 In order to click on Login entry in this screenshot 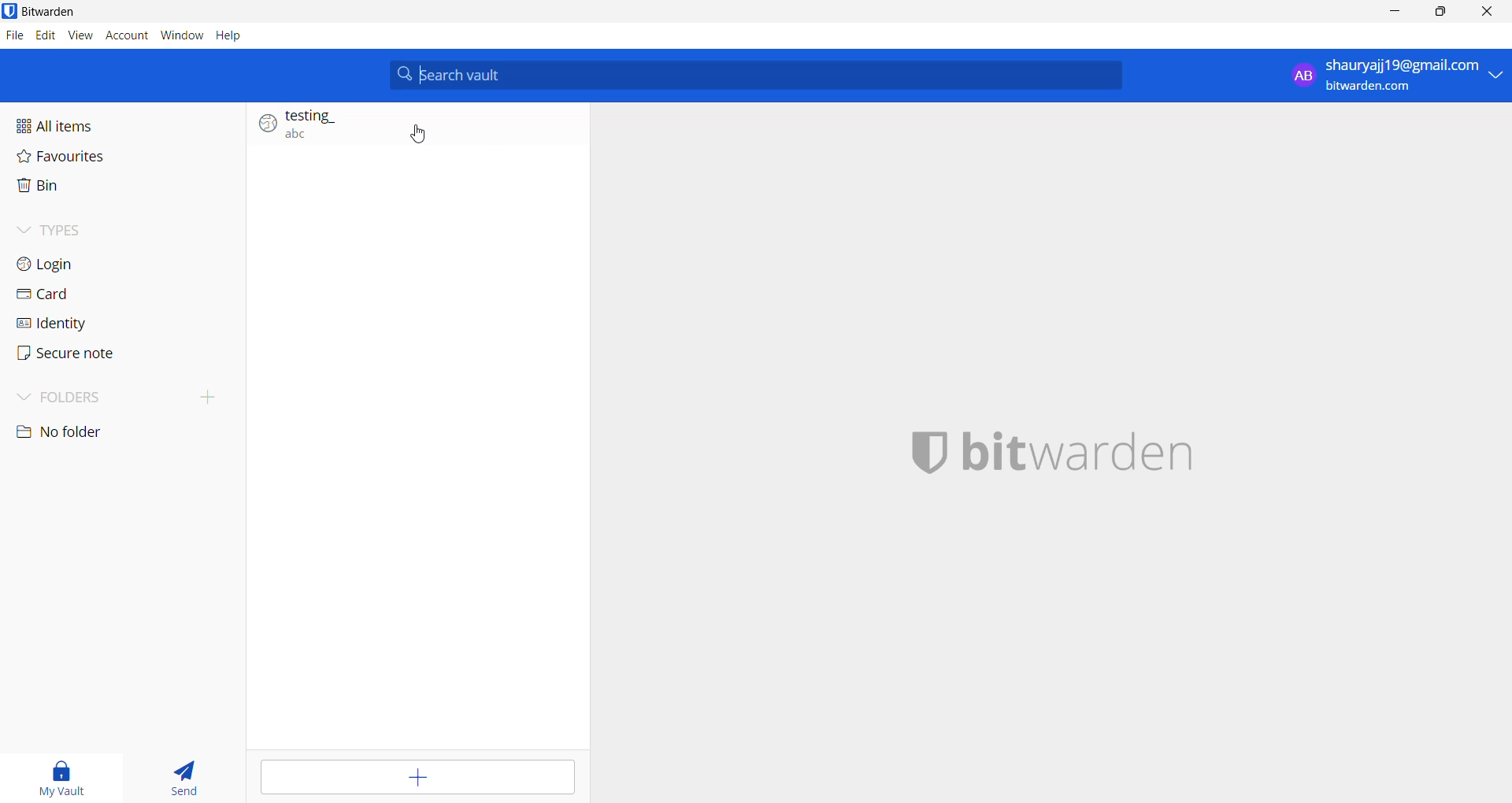, I will do `click(410, 128)`.